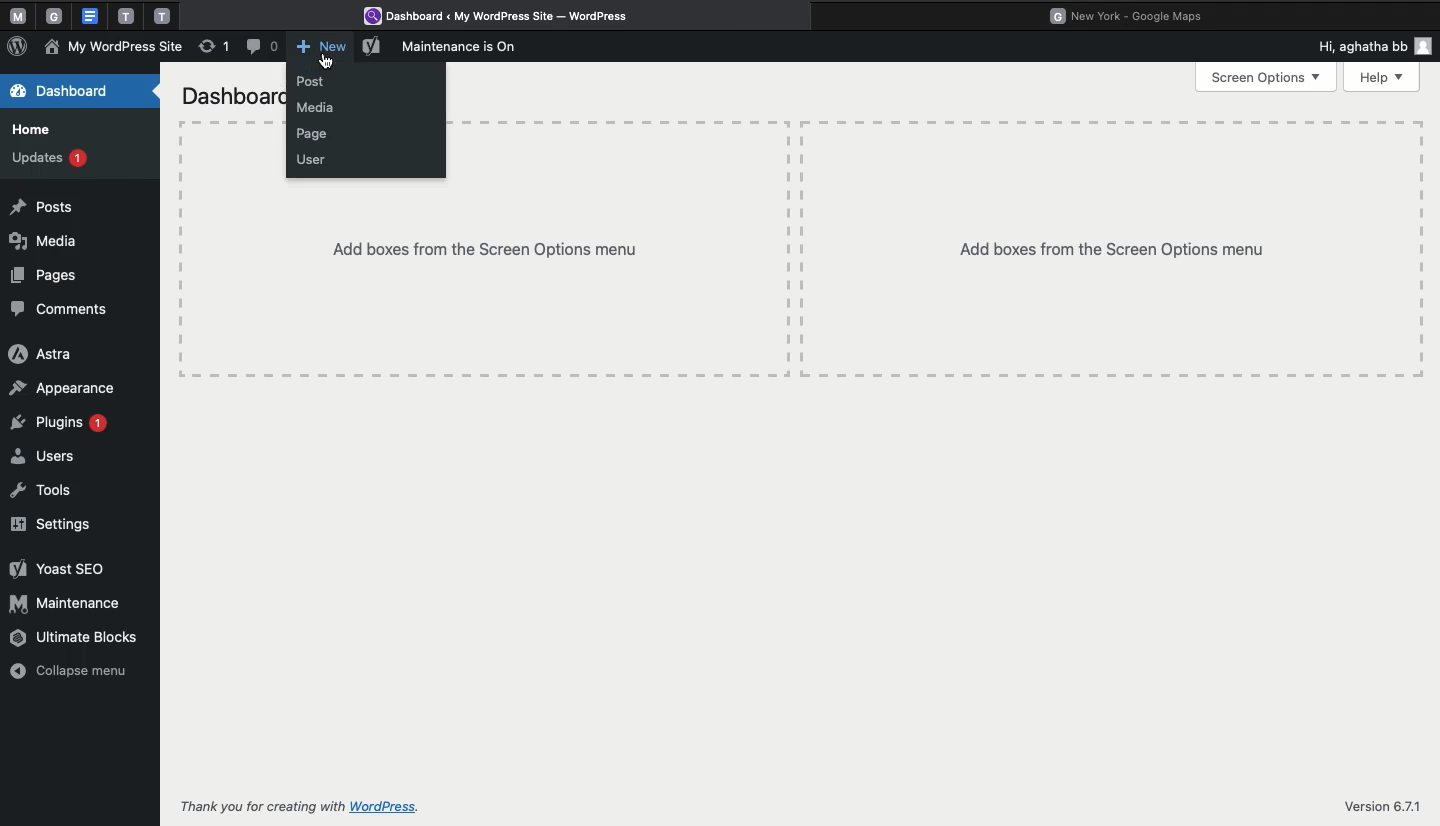 The image size is (1440, 826). What do you see at coordinates (1381, 807) in the screenshot?
I see `Version 6.7.1` at bounding box center [1381, 807].